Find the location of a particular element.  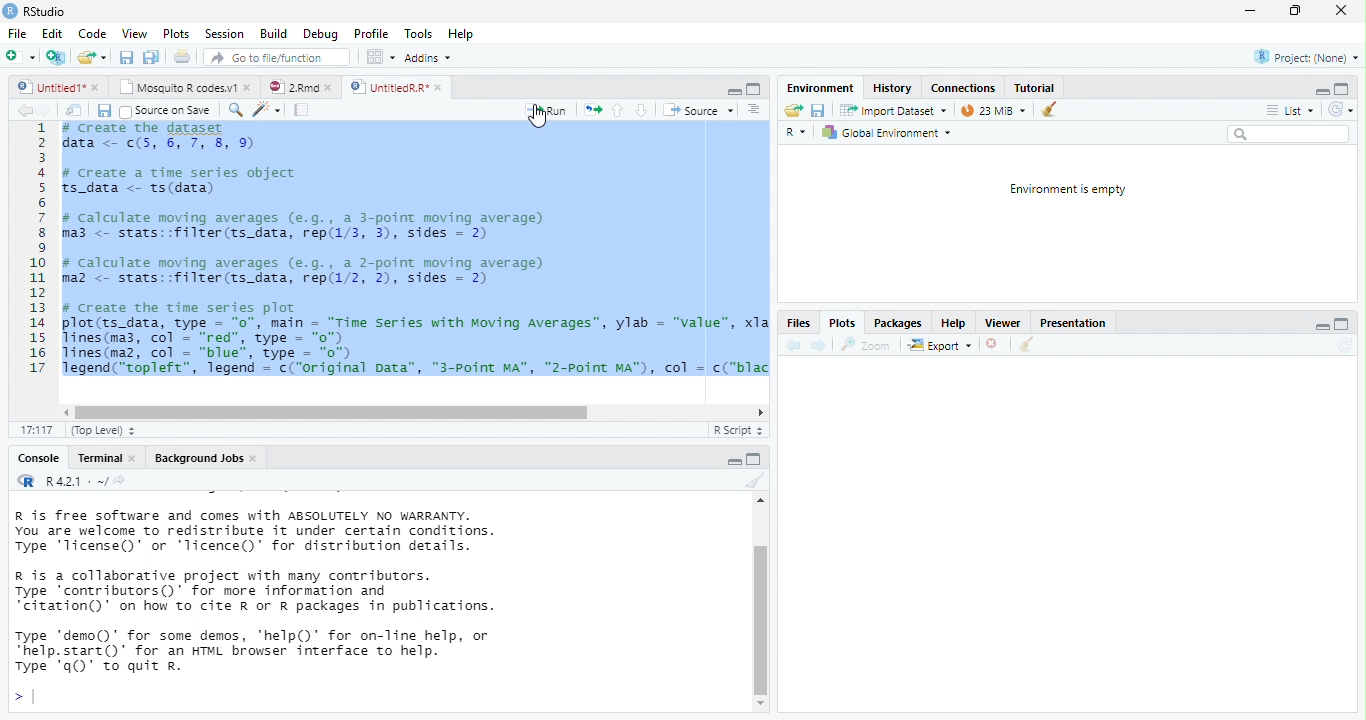

minimize is located at coordinates (1319, 93).